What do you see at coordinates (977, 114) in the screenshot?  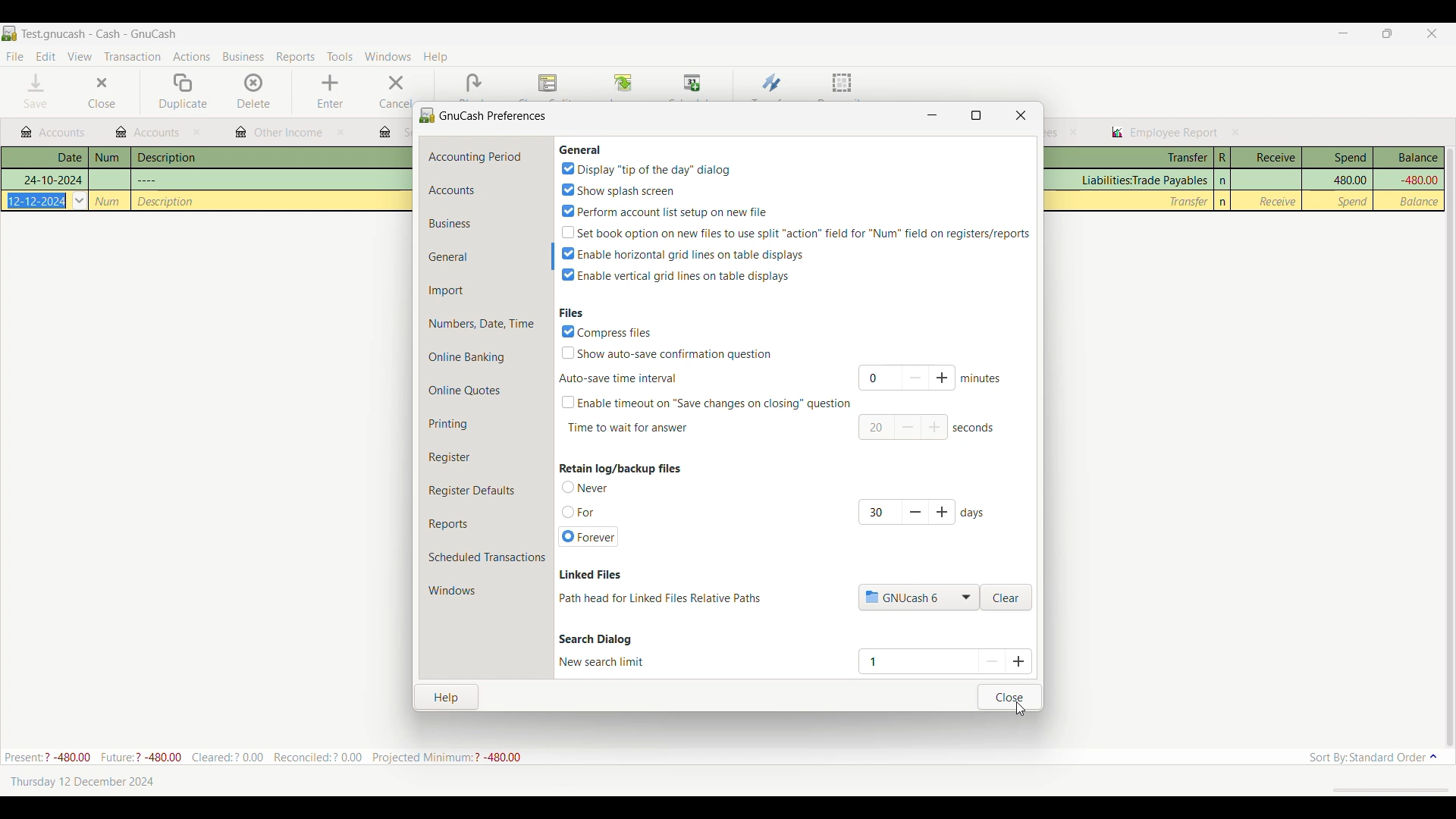 I see `maximize` at bounding box center [977, 114].